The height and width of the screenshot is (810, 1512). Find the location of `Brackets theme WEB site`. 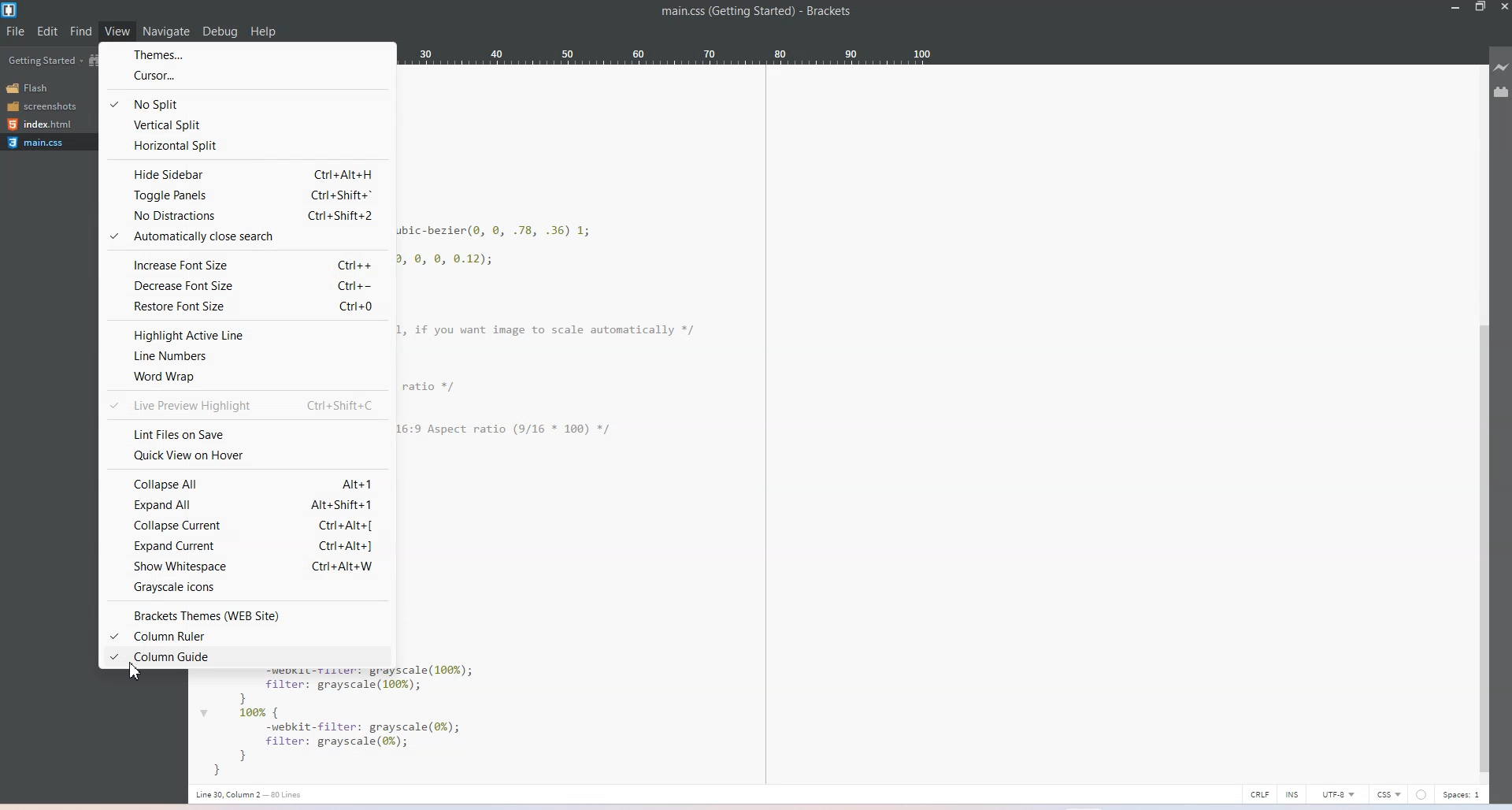

Brackets theme WEB site is located at coordinates (245, 611).